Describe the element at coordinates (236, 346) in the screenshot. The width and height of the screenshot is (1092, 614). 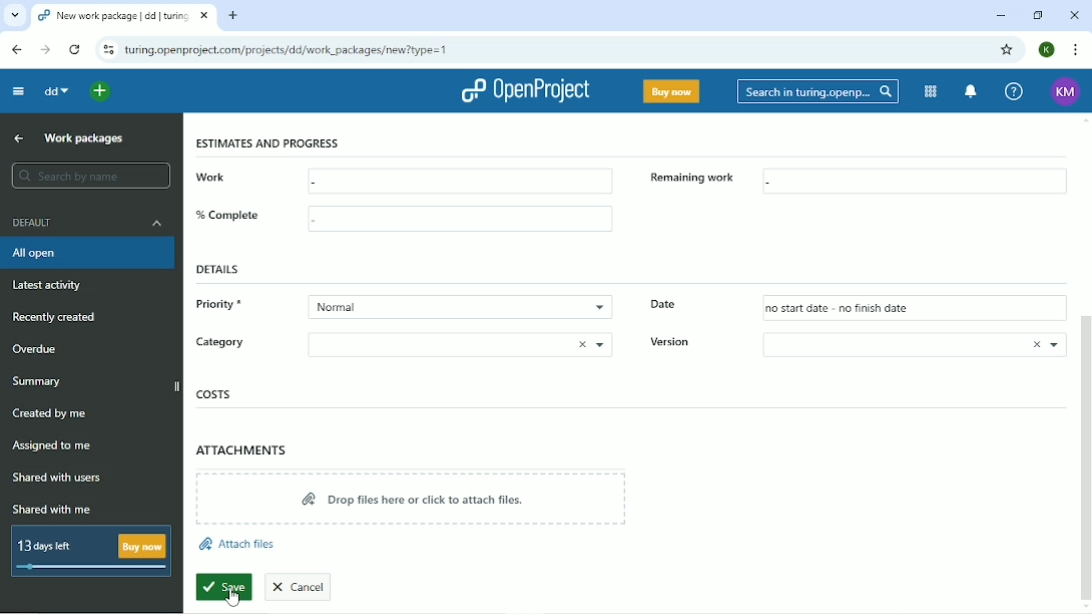
I see `Category` at that location.